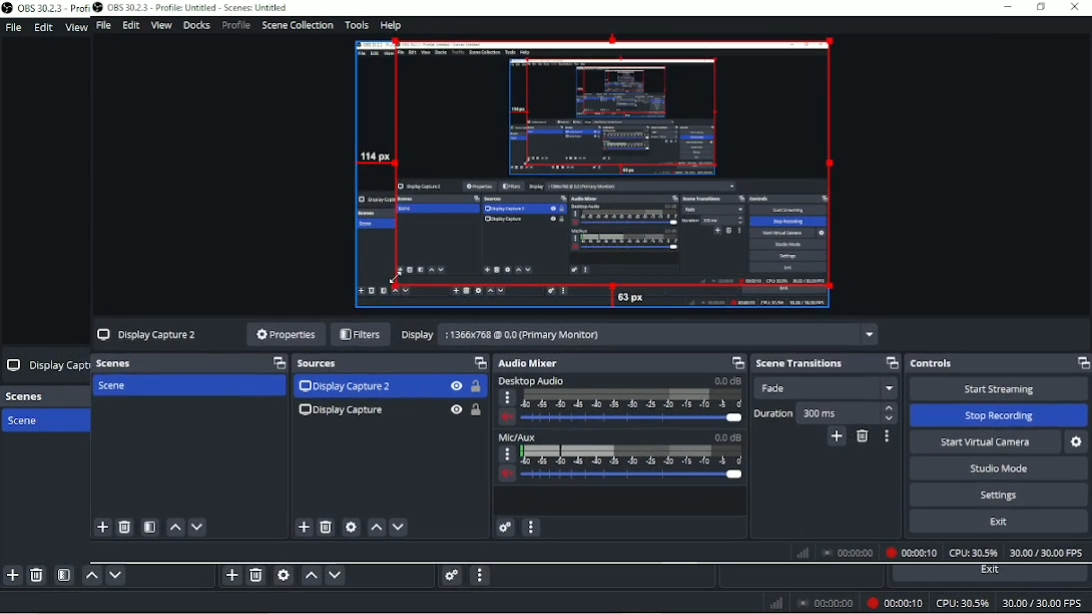 The height and width of the screenshot is (614, 1092). I want to click on slider, so click(633, 480).